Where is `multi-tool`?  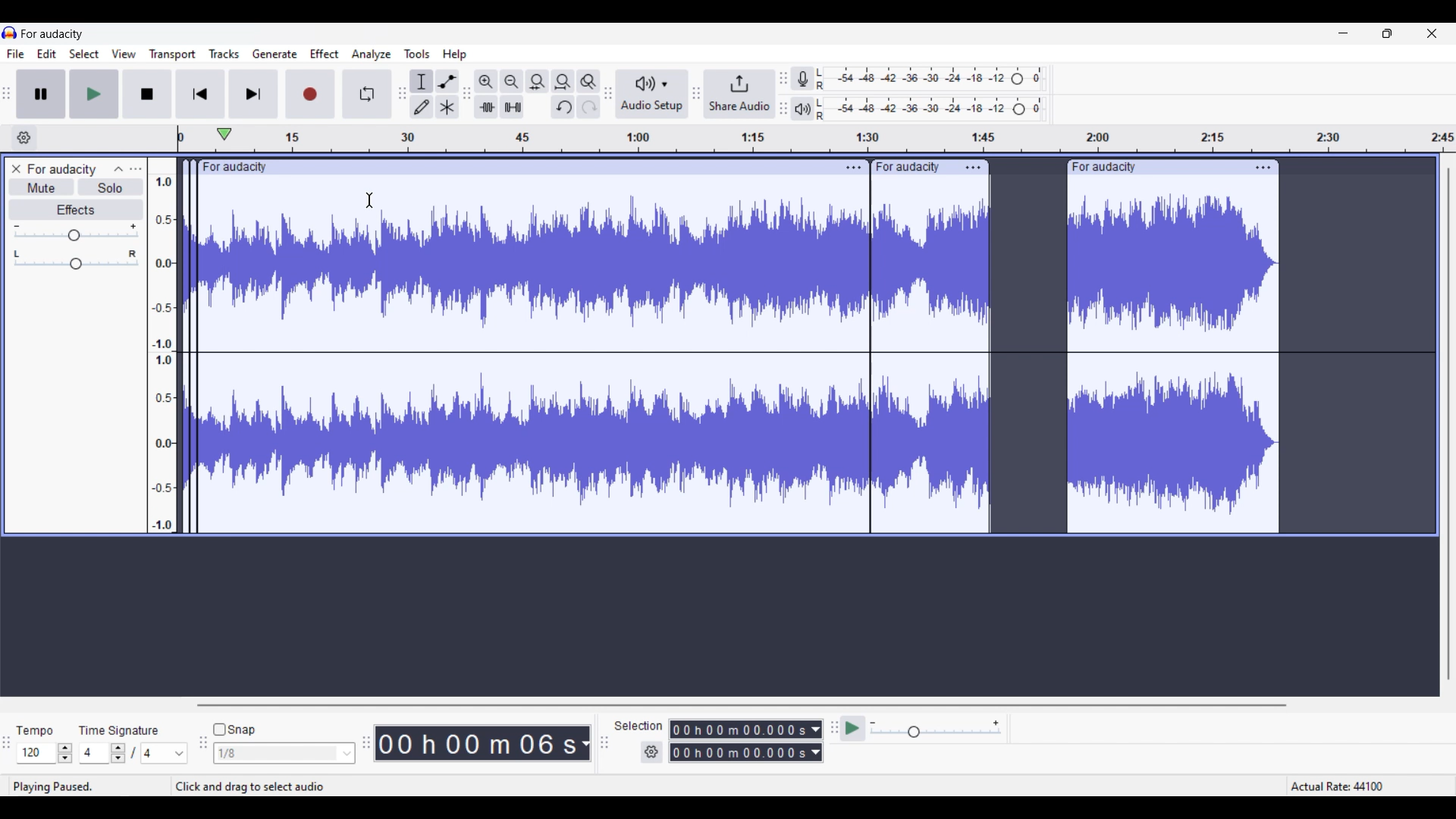 multi-tool is located at coordinates (448, 107).